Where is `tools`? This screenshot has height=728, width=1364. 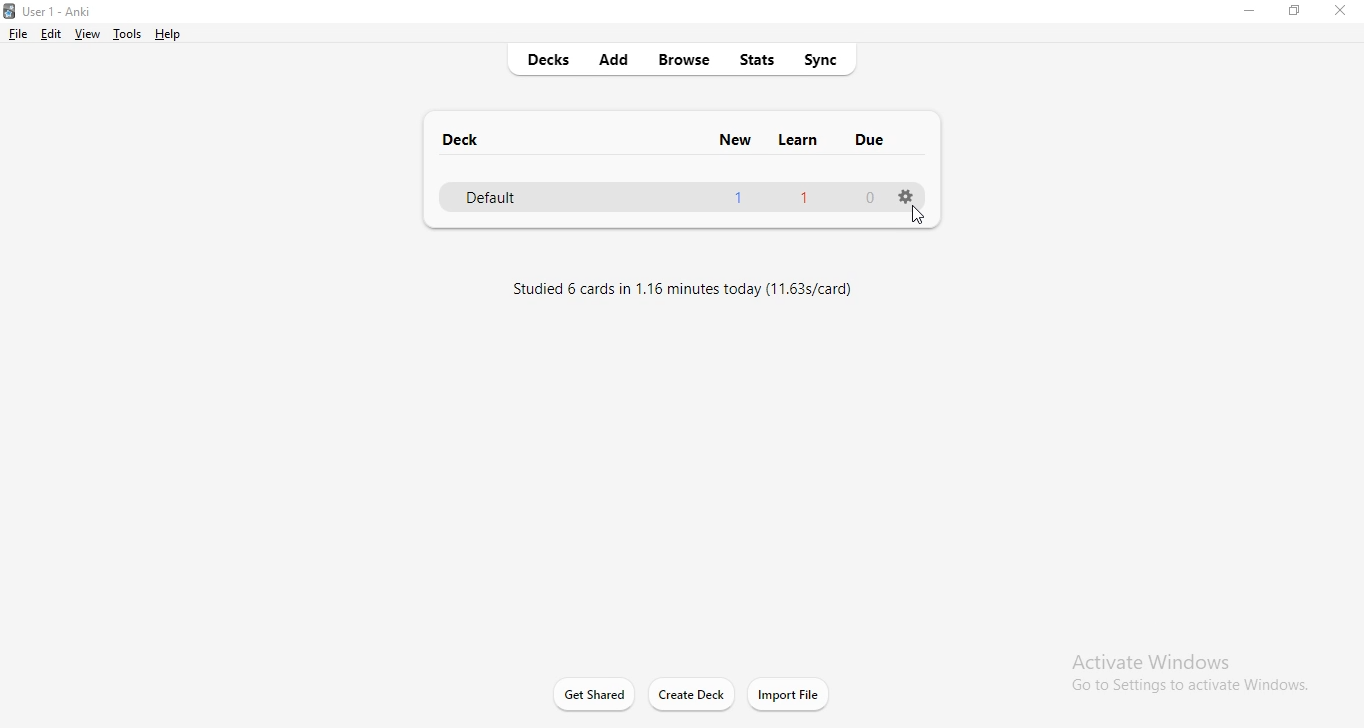
tools is located at coordinates (125, 33).